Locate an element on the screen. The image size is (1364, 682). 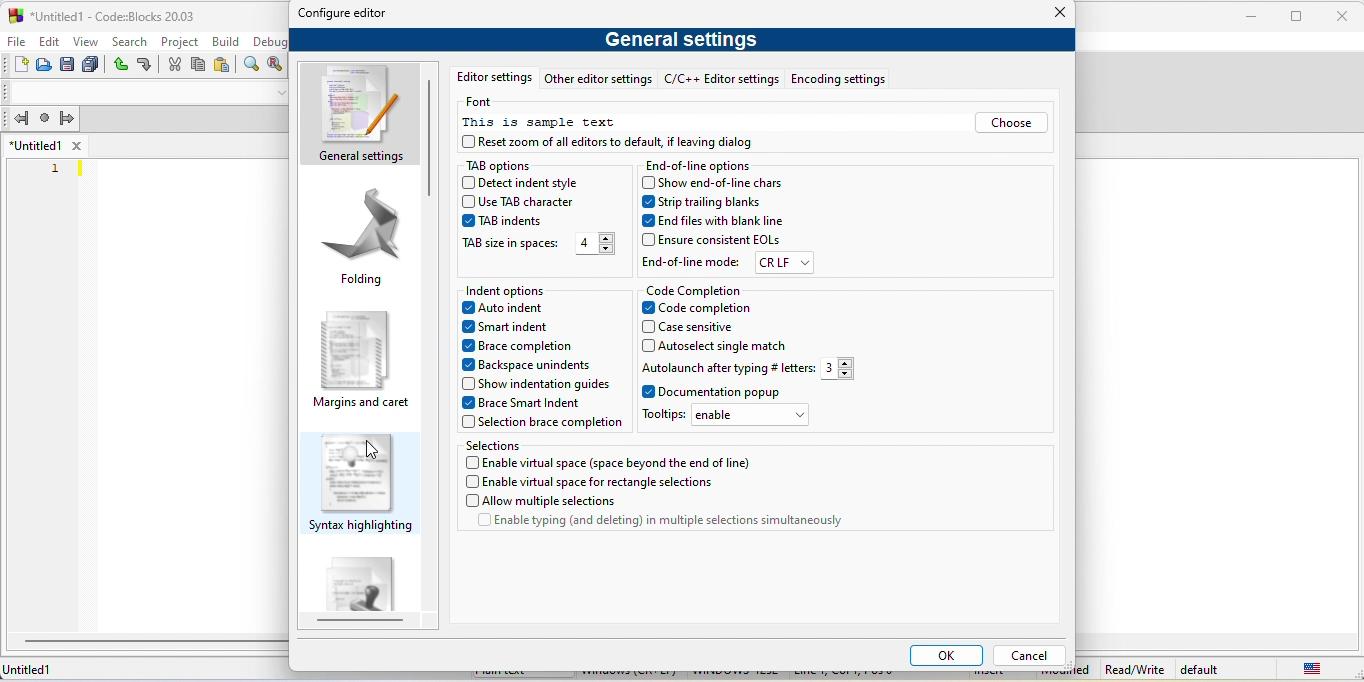
search is located at coordinates (130, 41).